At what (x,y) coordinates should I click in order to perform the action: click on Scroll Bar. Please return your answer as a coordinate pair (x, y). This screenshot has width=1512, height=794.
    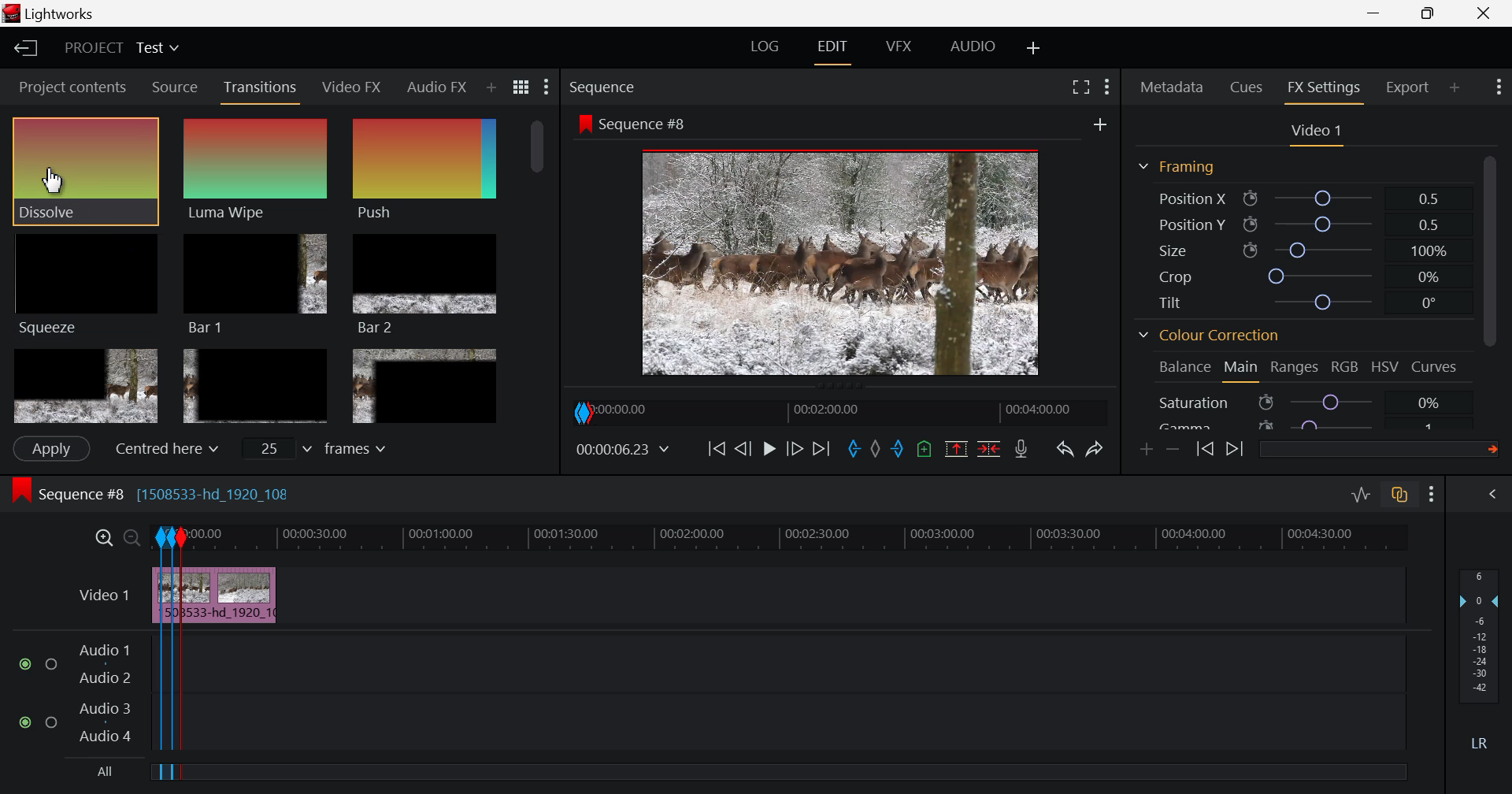
    Looking at the image, I should click on (1496, 284).